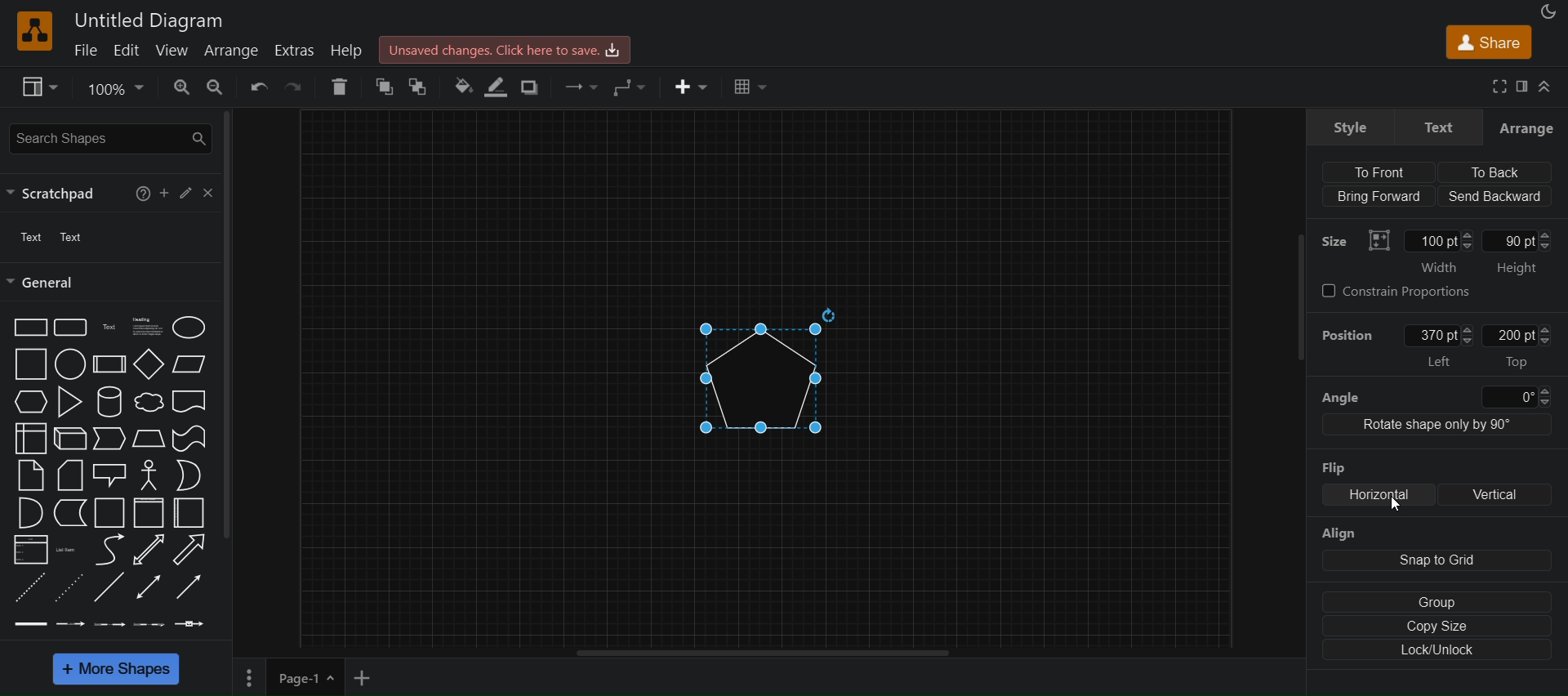 The width and height of the screenshot is (1568, 696). Describe the element at coordinates (1349, 533) in the screenshot. I see `align` at that location.